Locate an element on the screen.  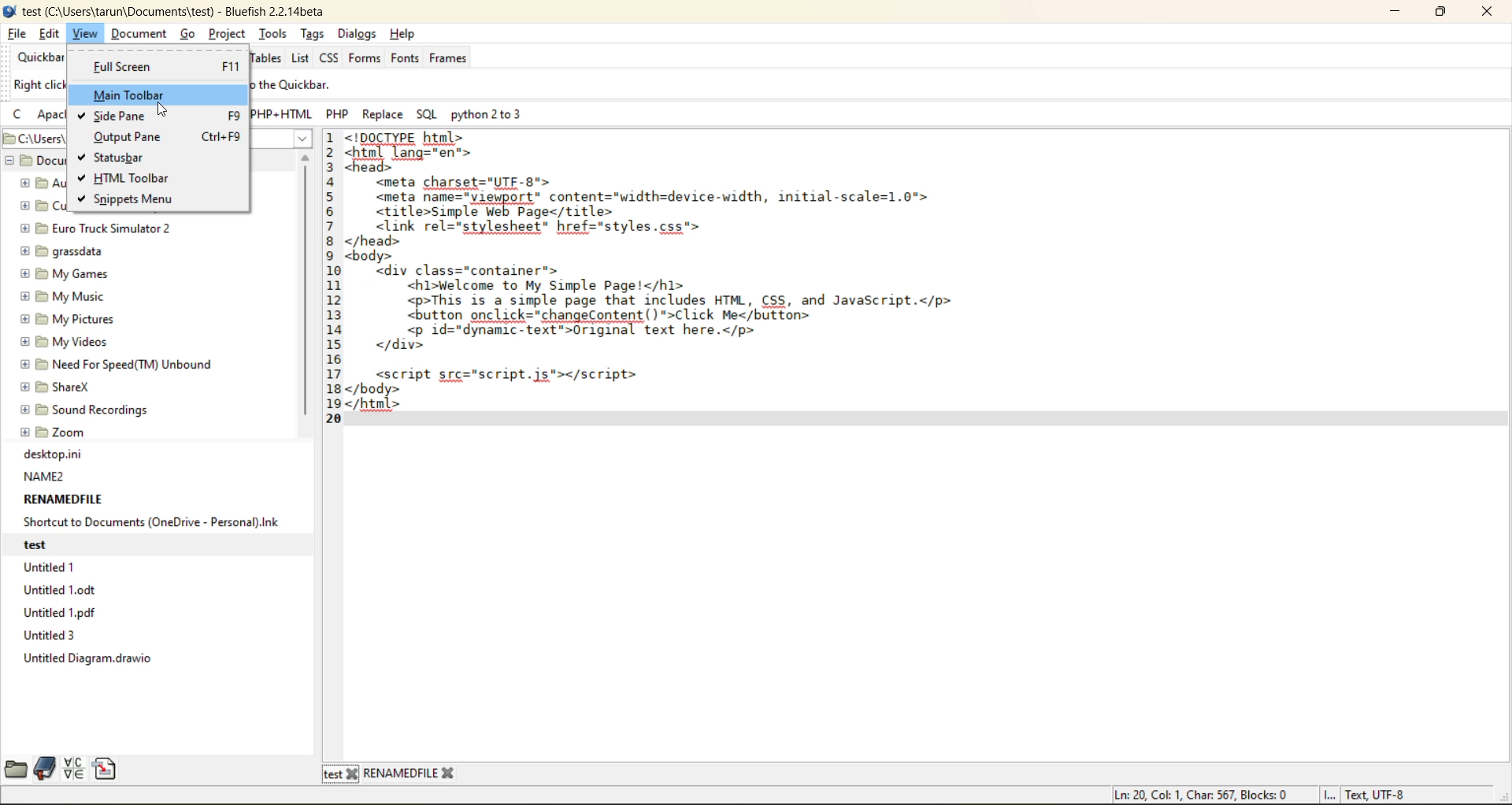
fonts is located at coordinates (406, 59).